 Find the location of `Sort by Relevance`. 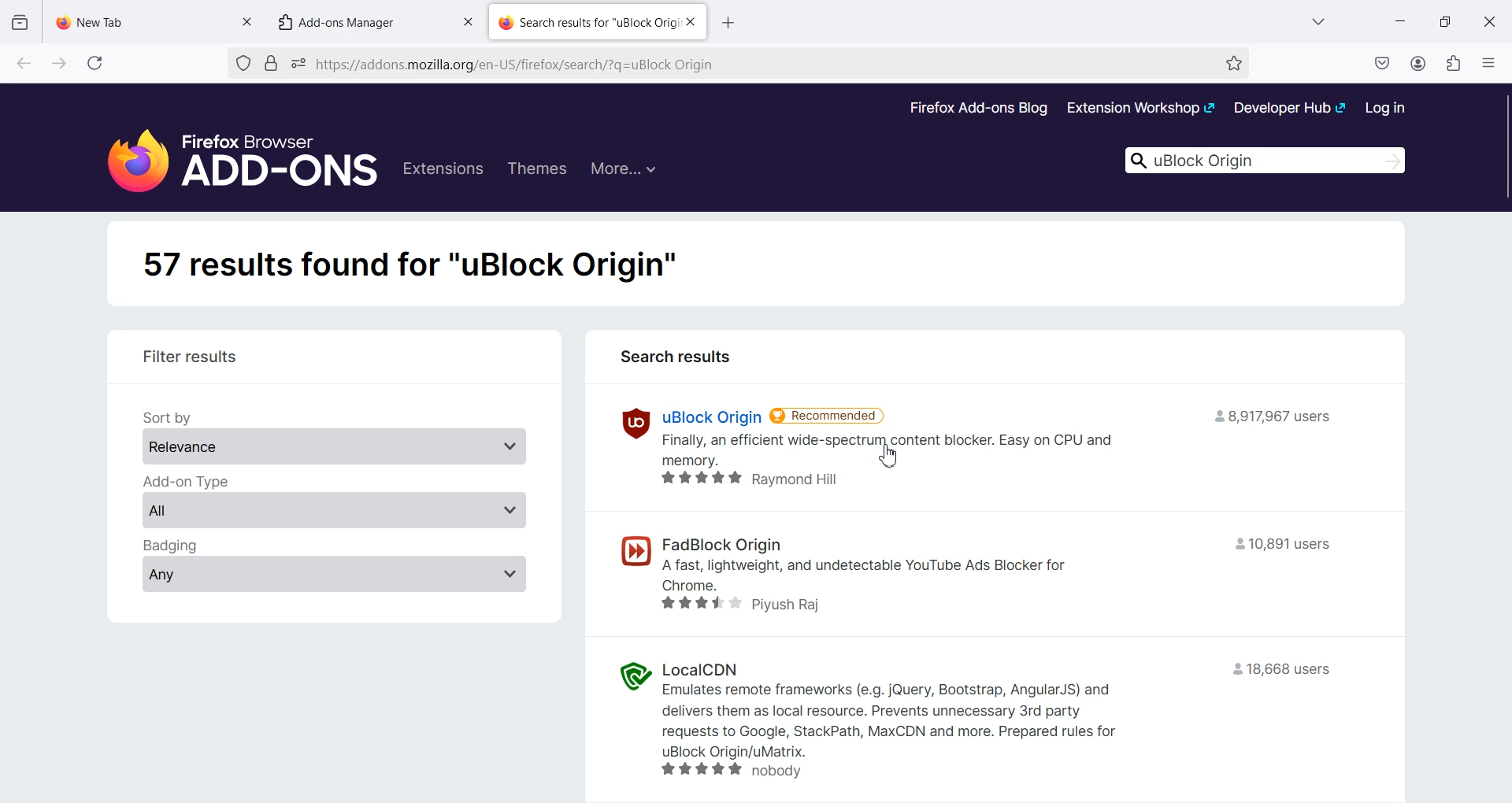

Sort by Relevance is located at coordinates (333, 438).